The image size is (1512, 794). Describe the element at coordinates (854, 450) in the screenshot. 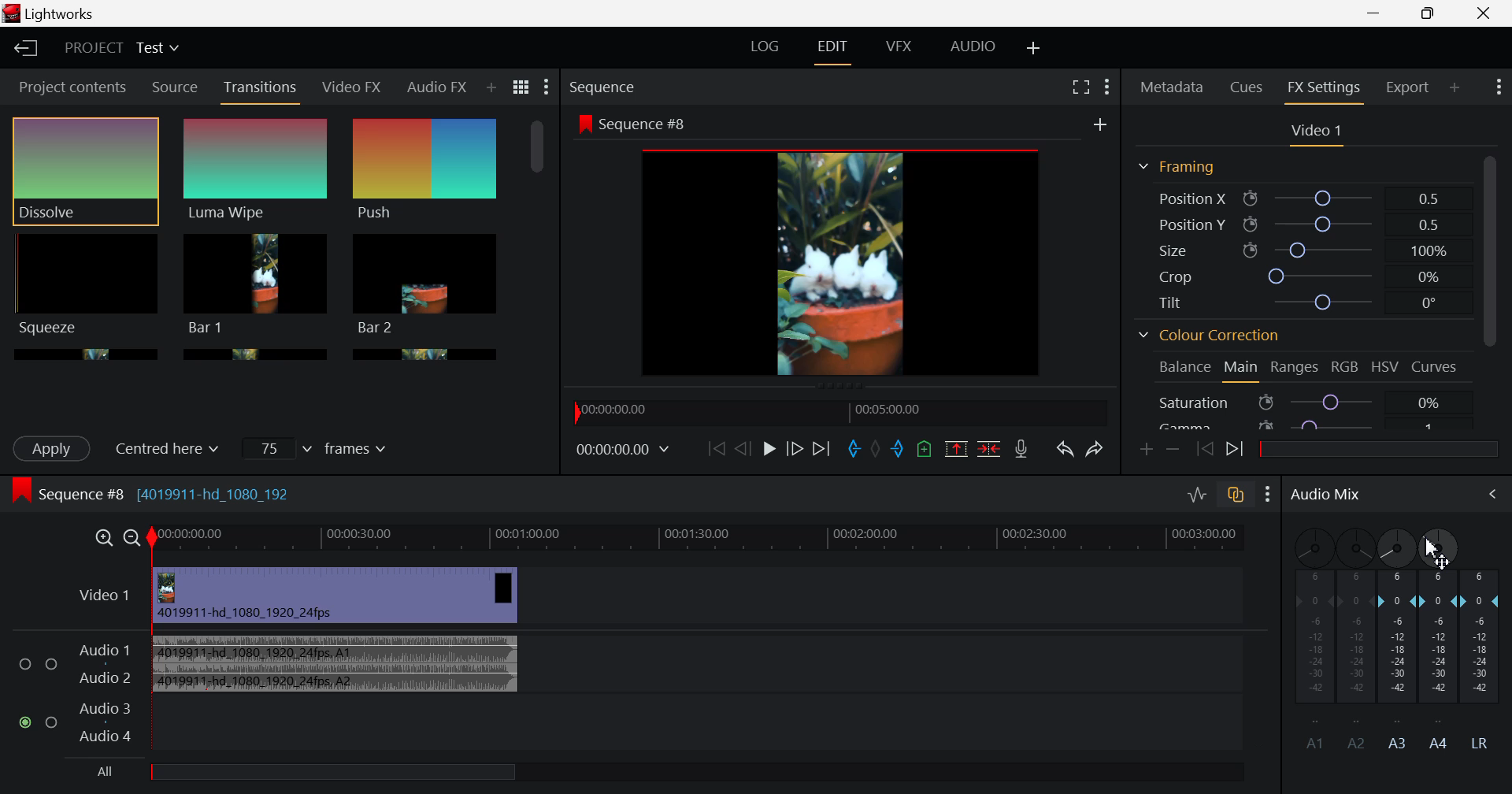

I see `Mark In` at that location.